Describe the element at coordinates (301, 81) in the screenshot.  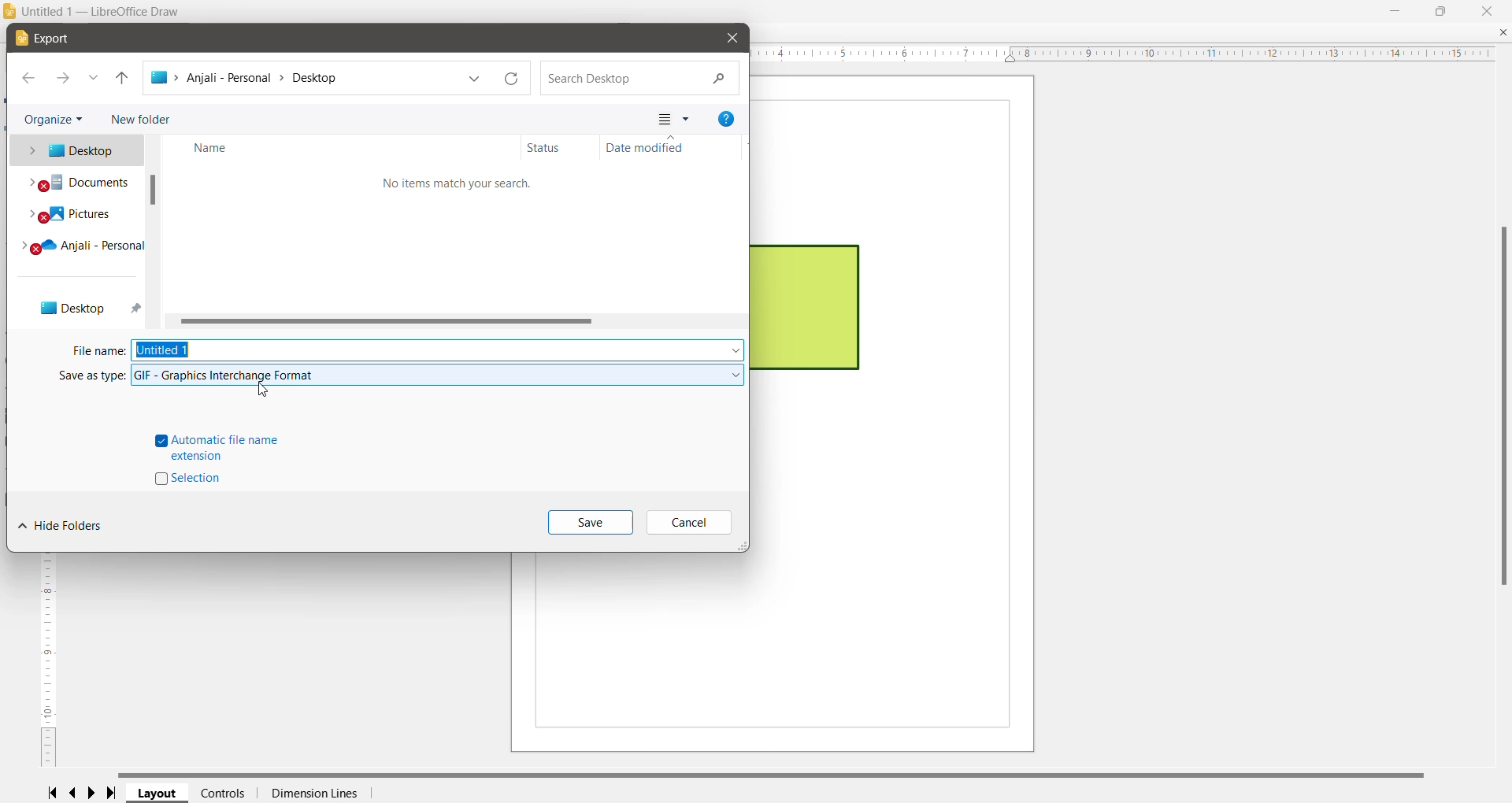
I see `Current Location` at that location.